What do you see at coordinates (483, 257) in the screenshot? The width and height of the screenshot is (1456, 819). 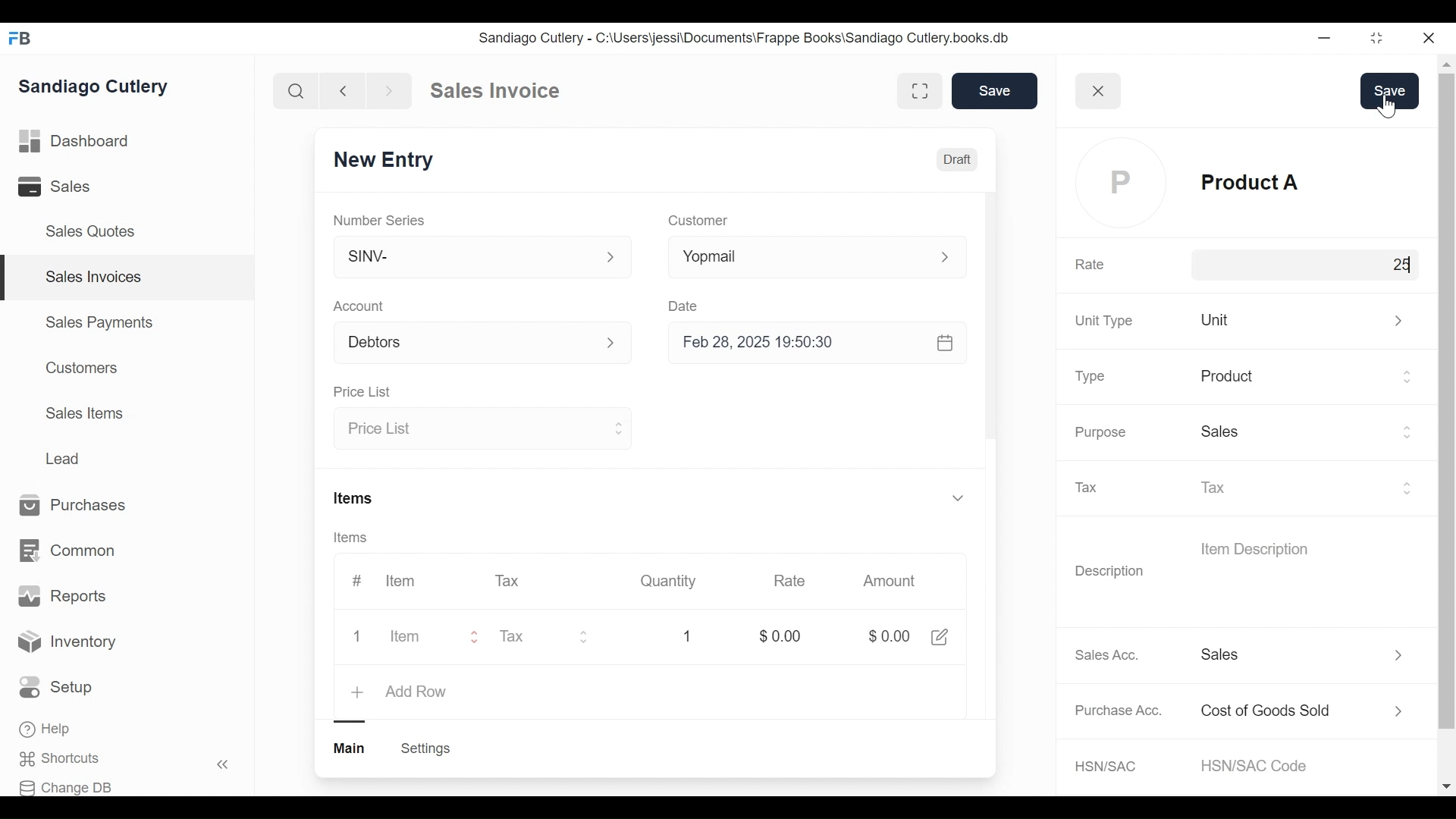 I see `SINV-` at bounding box center [483, 257].